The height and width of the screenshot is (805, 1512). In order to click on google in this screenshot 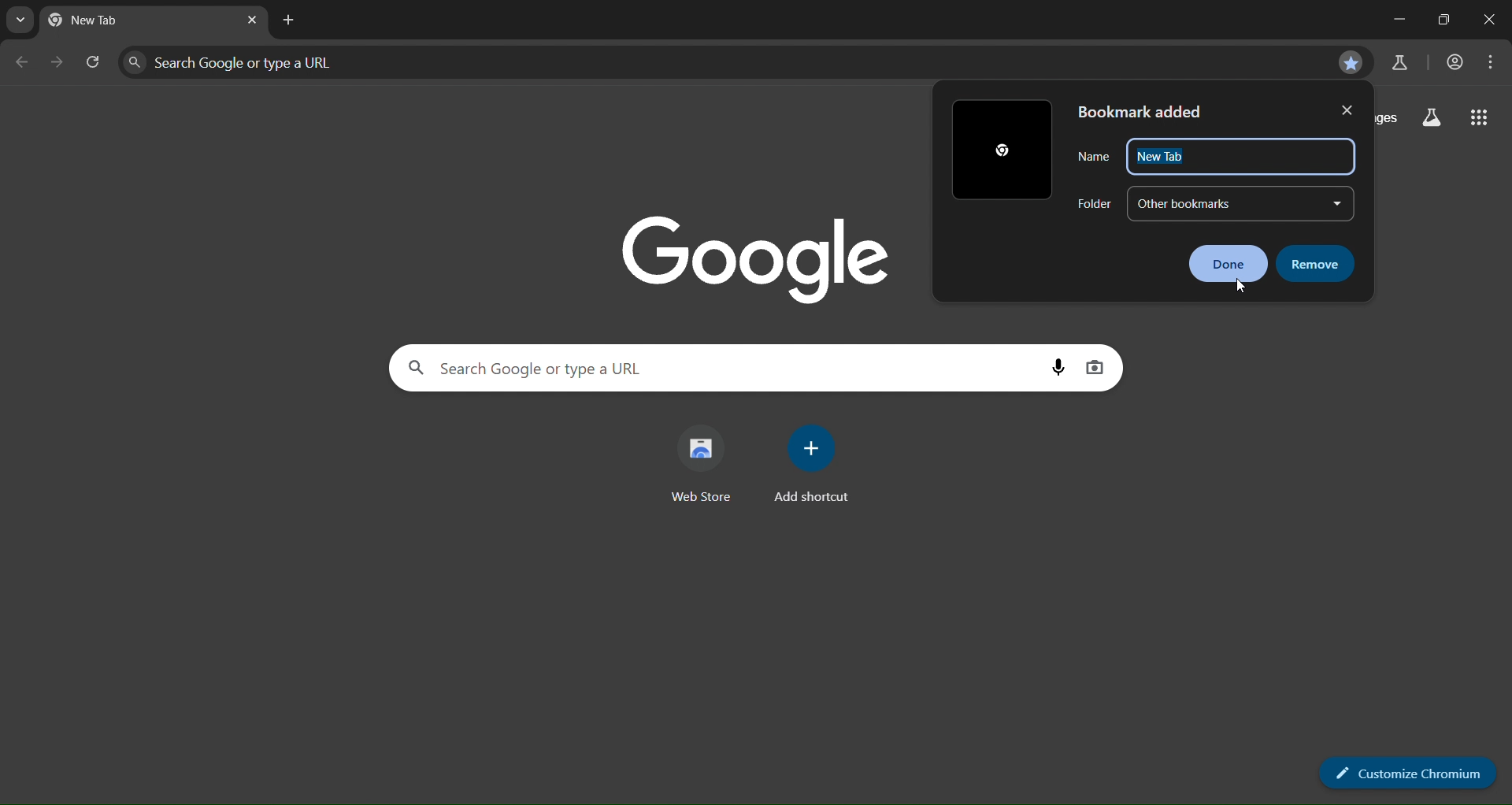, I will do `click(760, 254)`.